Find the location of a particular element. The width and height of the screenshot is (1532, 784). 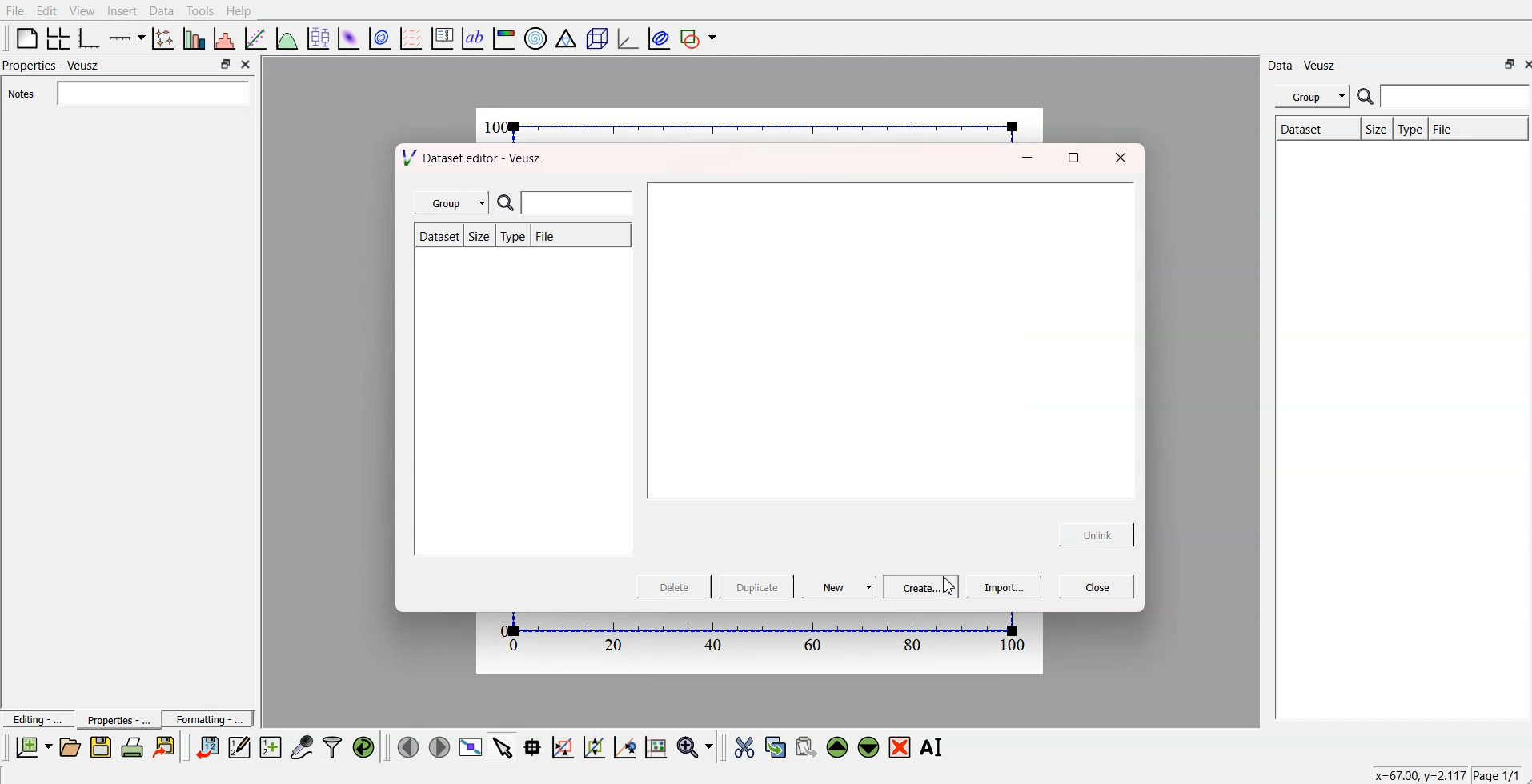

ternary graph is located at coordinates (567, 37).